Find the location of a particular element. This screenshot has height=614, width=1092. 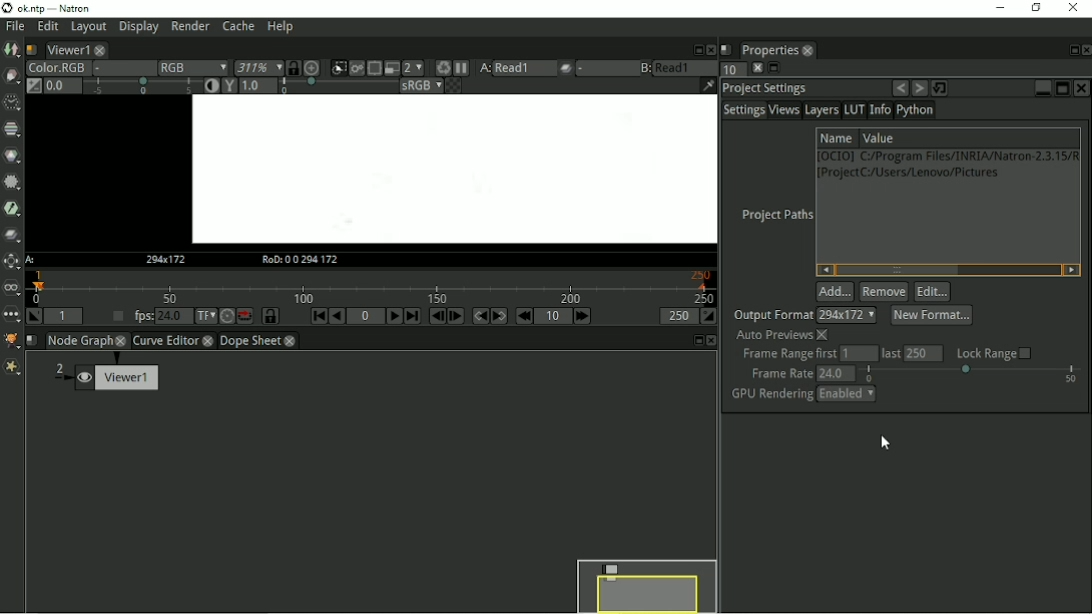

Maximize is located at coordinates (1060, 87).